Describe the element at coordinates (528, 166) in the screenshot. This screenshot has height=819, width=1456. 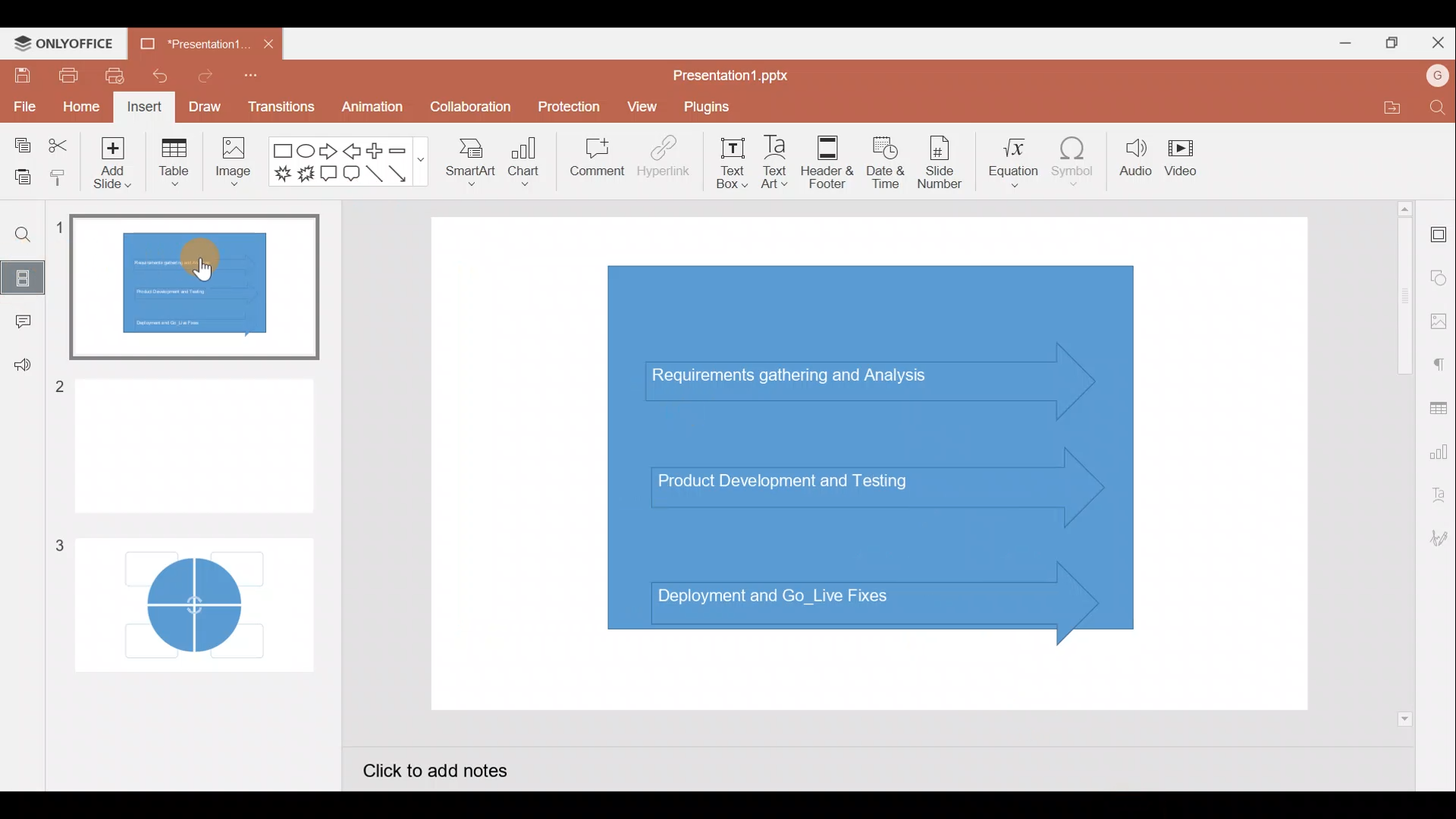
I see `Chart` at that location.